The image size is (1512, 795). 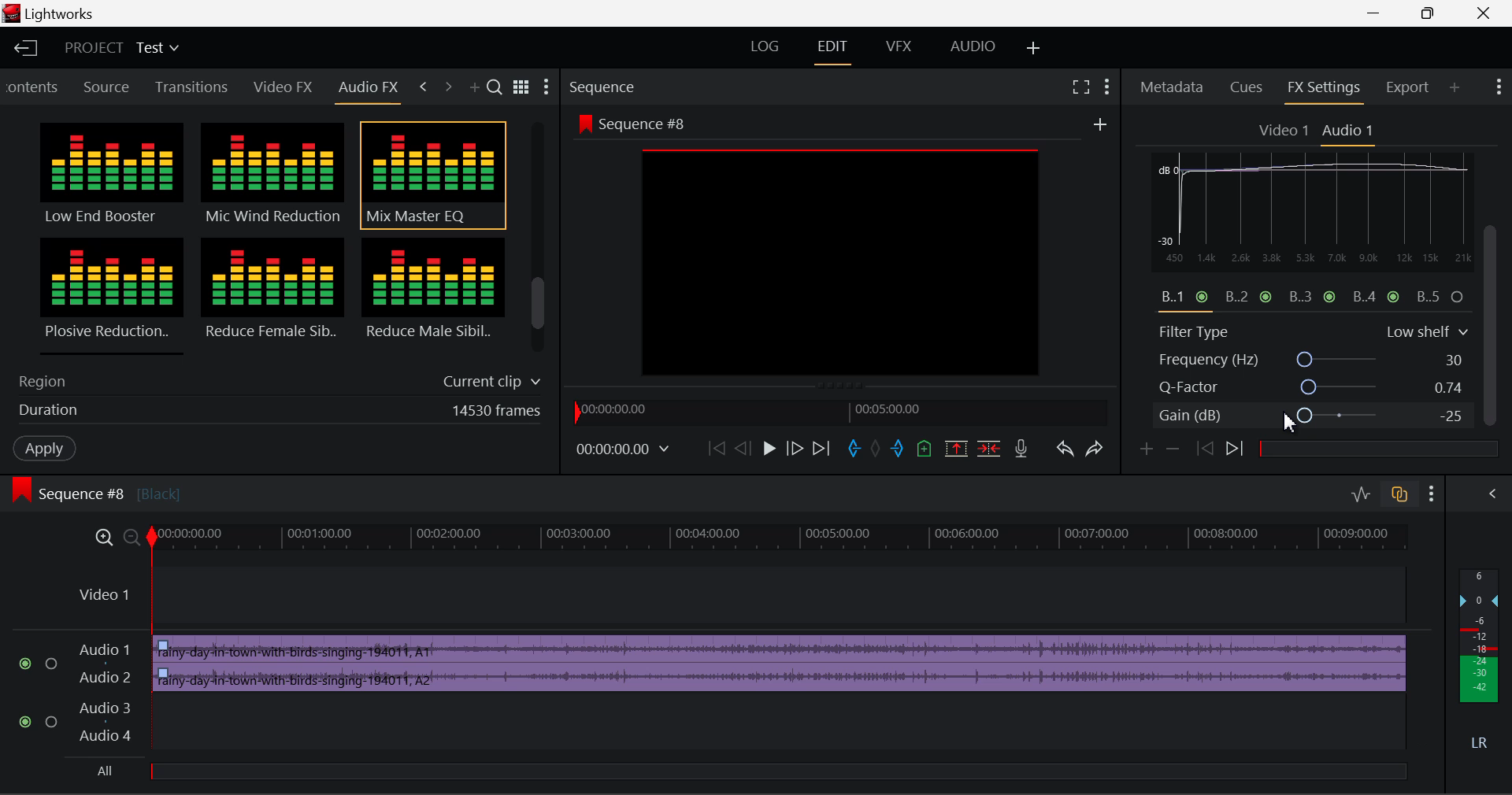 What do you see at coordinates (899, 449) in the screenshot?
I see `Mart Out` at bounding box center [899, 449].